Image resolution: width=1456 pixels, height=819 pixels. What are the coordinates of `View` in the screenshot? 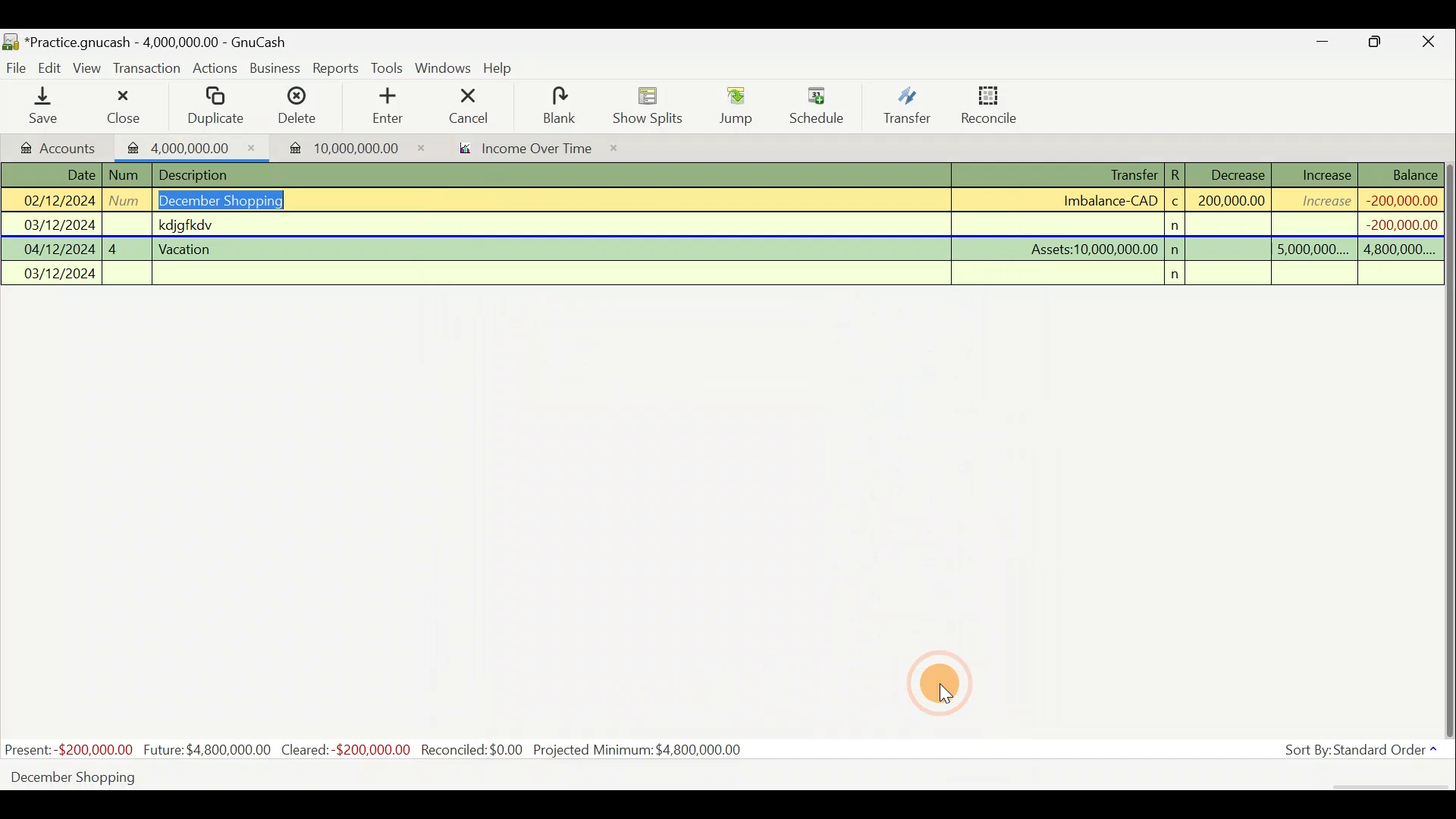 It's located at (89, 68).